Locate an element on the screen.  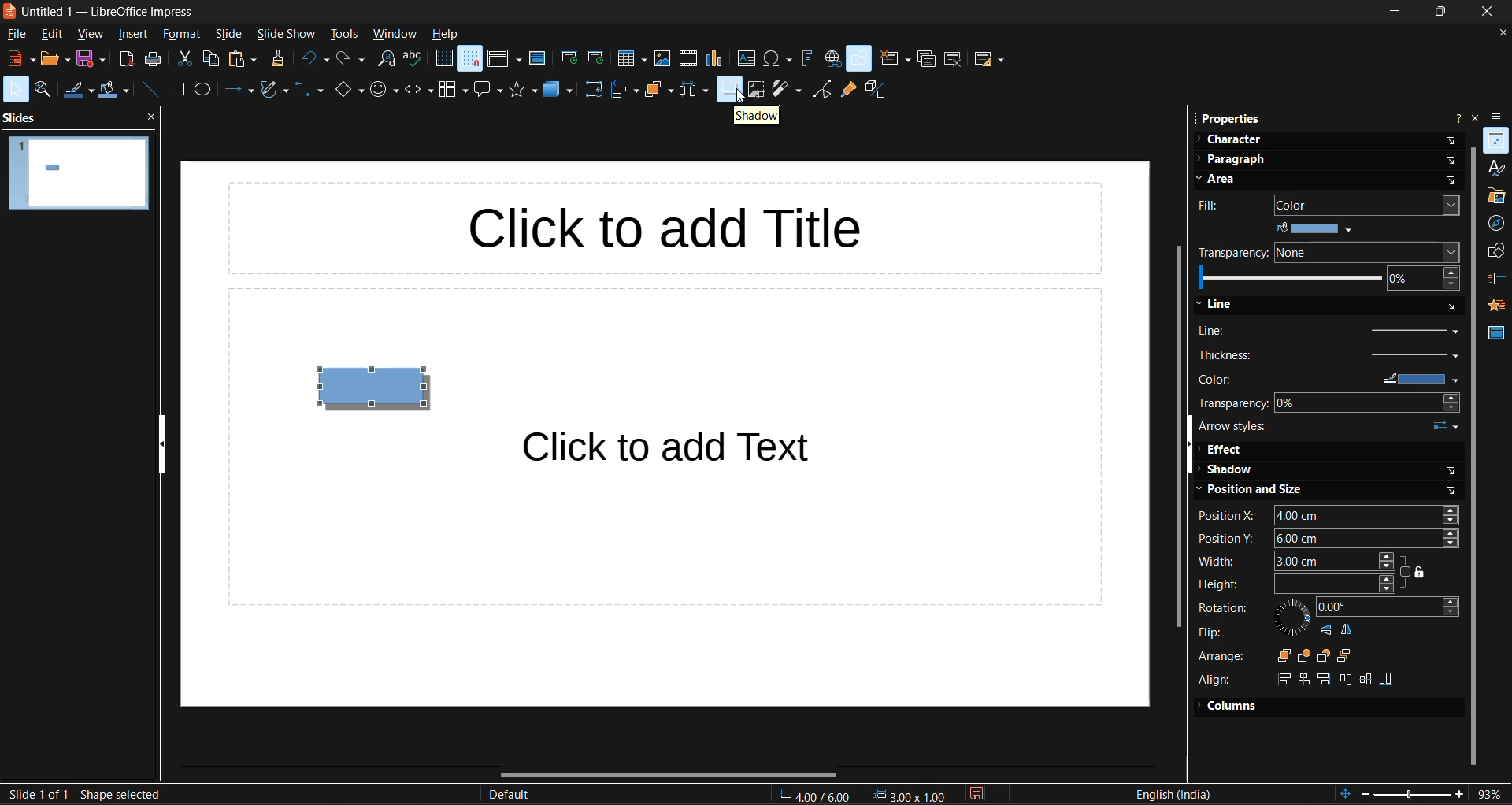
slide transition is located at coordinates (1497, 279).